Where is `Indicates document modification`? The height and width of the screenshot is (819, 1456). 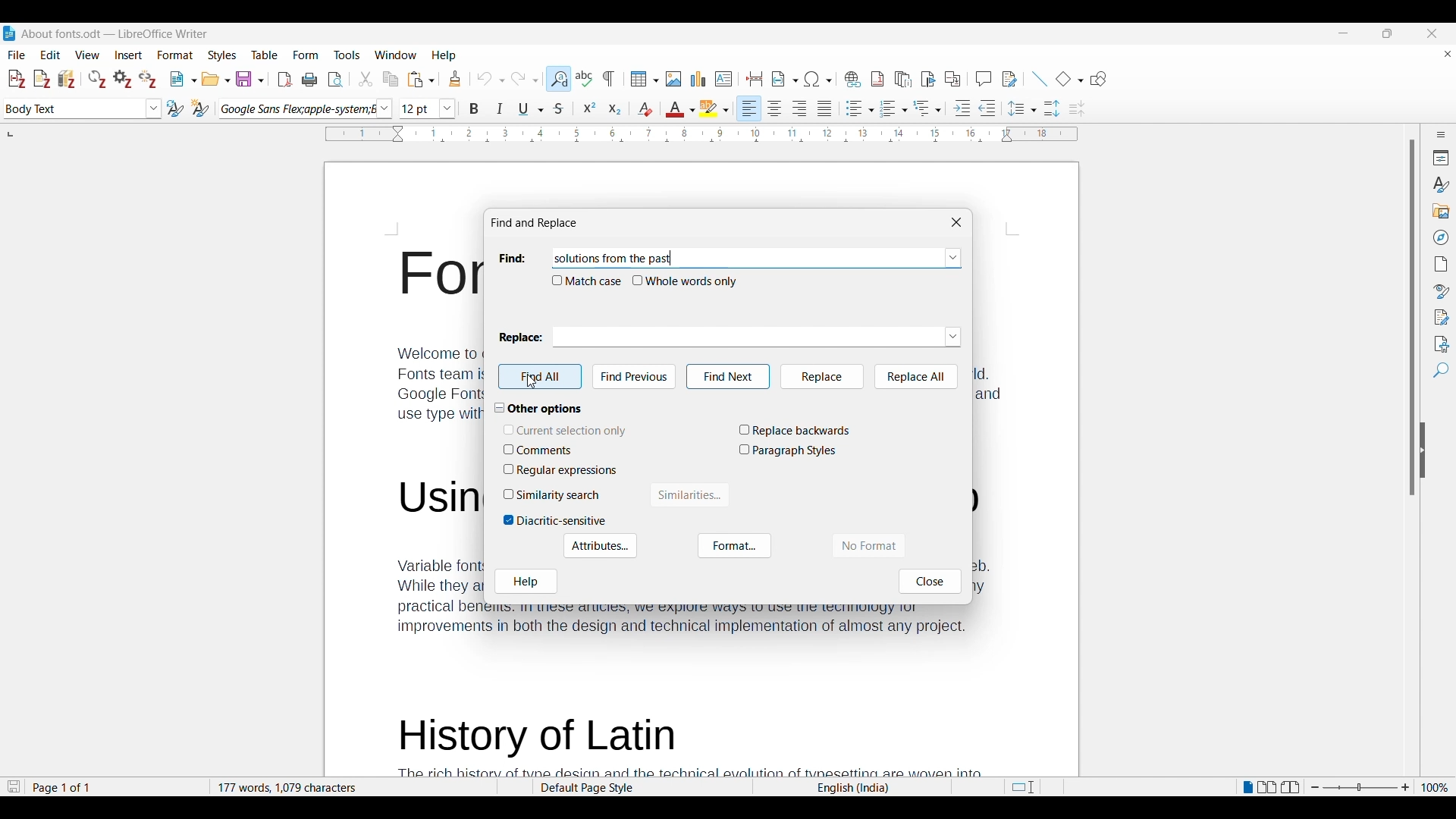 Indicates document modification is located at coordinates (14, 787).